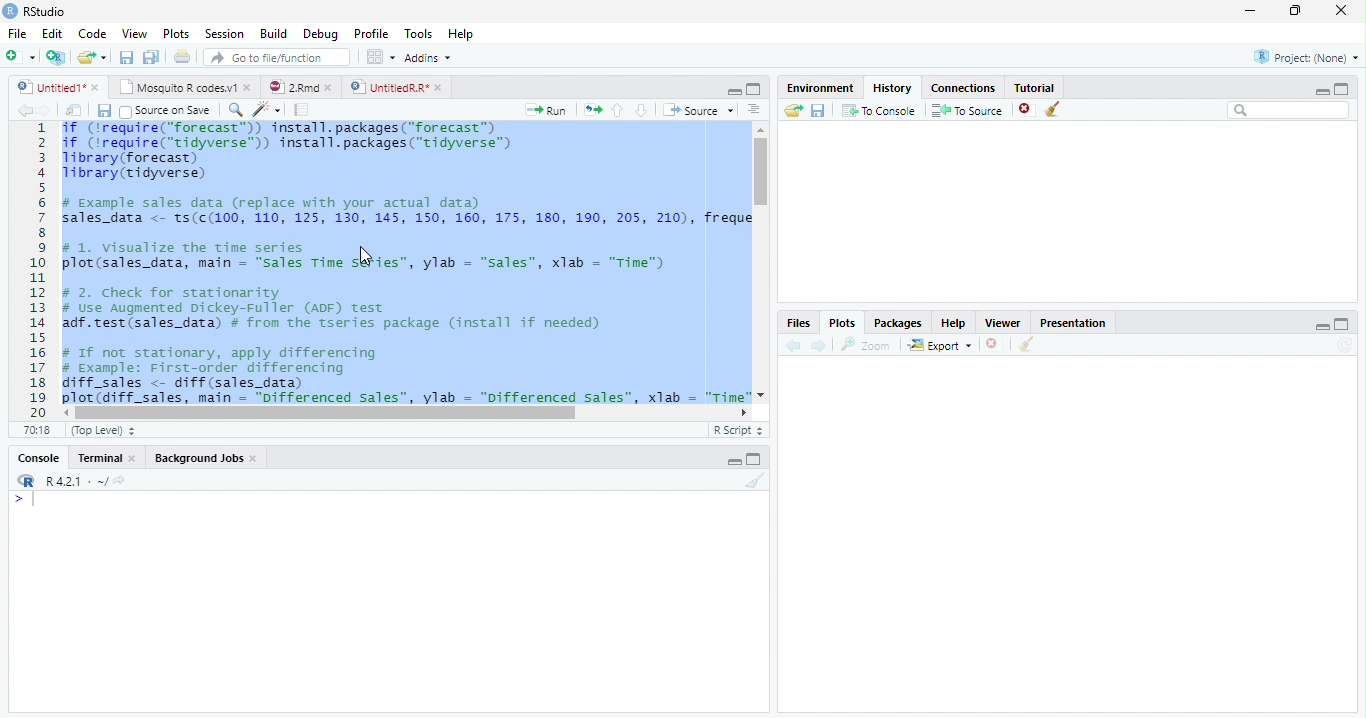 The height and width of the screenshot is (718, 1366). Describe the element at coordinates (818, 110) in the screenshot. I see `save` at that location.